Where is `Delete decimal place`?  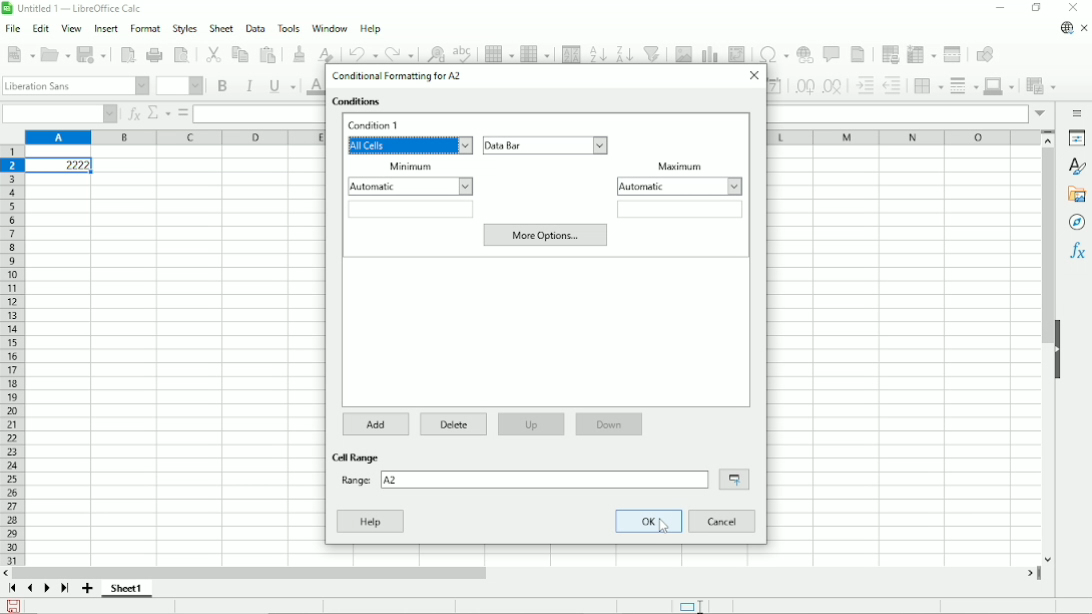 Delete decimal place is located at coordinates (834, 87).